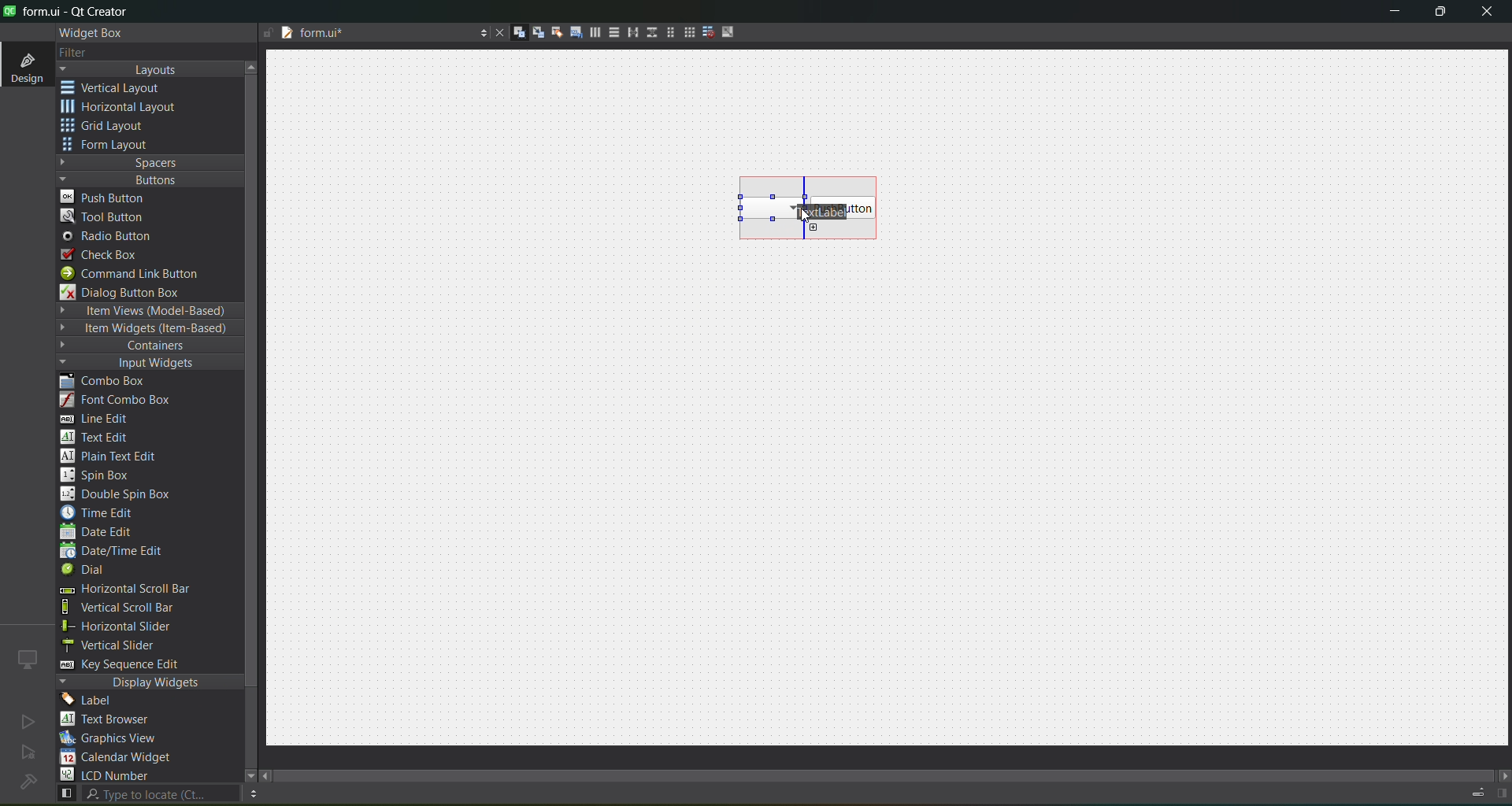 The width and height of the screenshot is (1512, 806). Describe the element at coordinates (91, 701) in the screenshot. I see `label` at that location.